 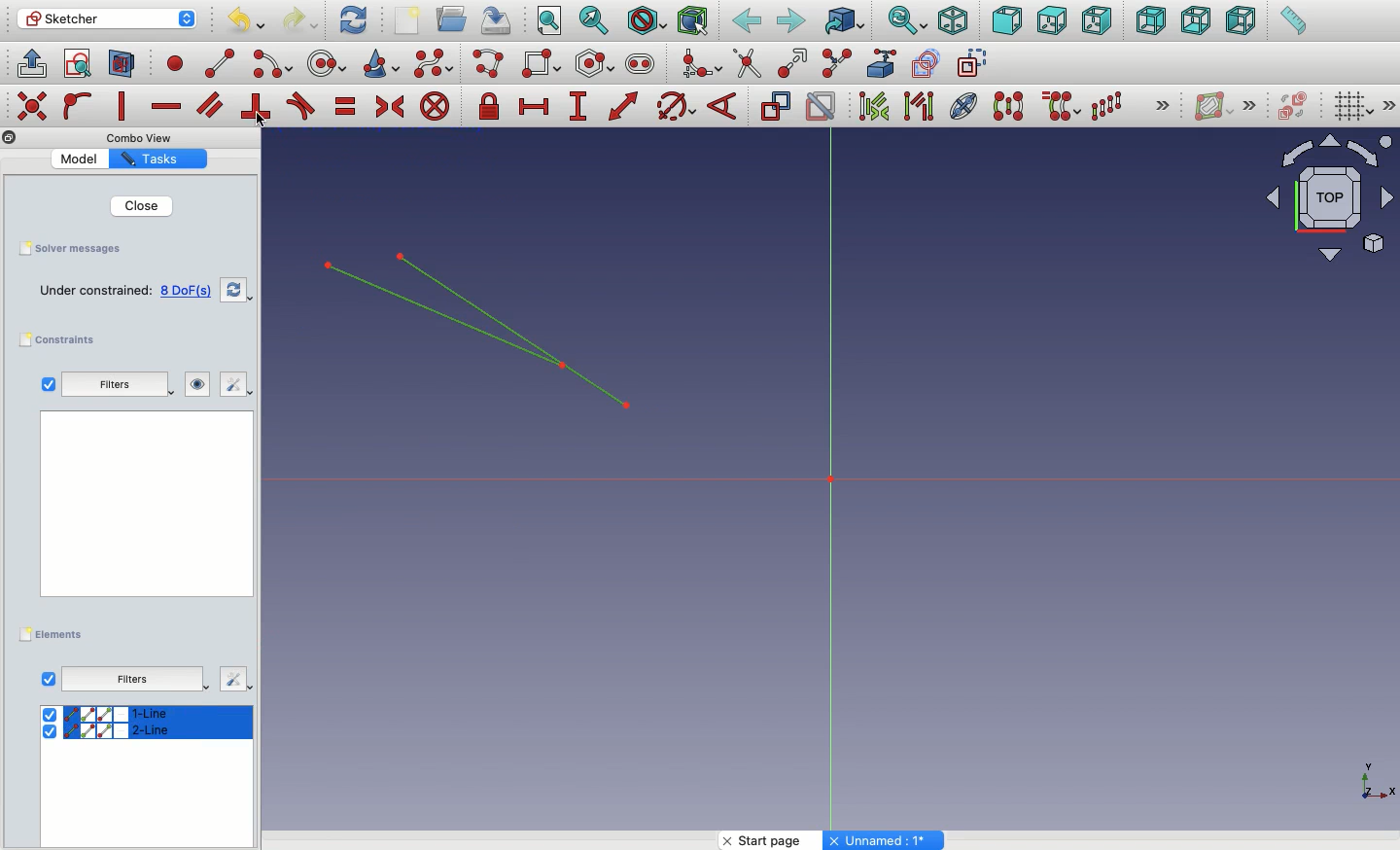 What do you see at coordinates (492, 106) in the screenshot?
I see `Constrain lock` at bounding box center [492, 106].